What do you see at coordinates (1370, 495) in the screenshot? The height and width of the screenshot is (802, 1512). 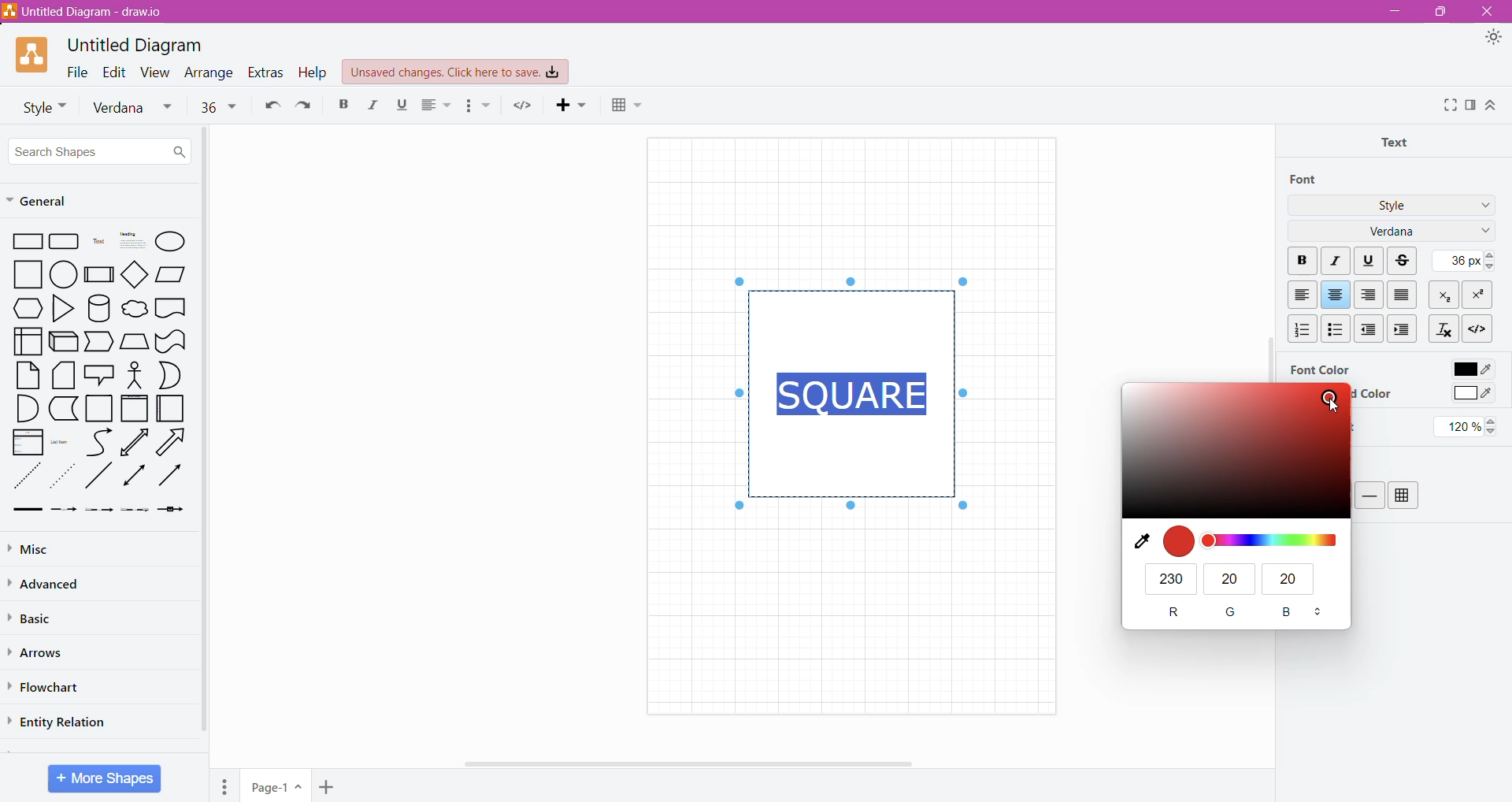 I see `Insert Horizontal Line` at bounding box center [1370, 495].